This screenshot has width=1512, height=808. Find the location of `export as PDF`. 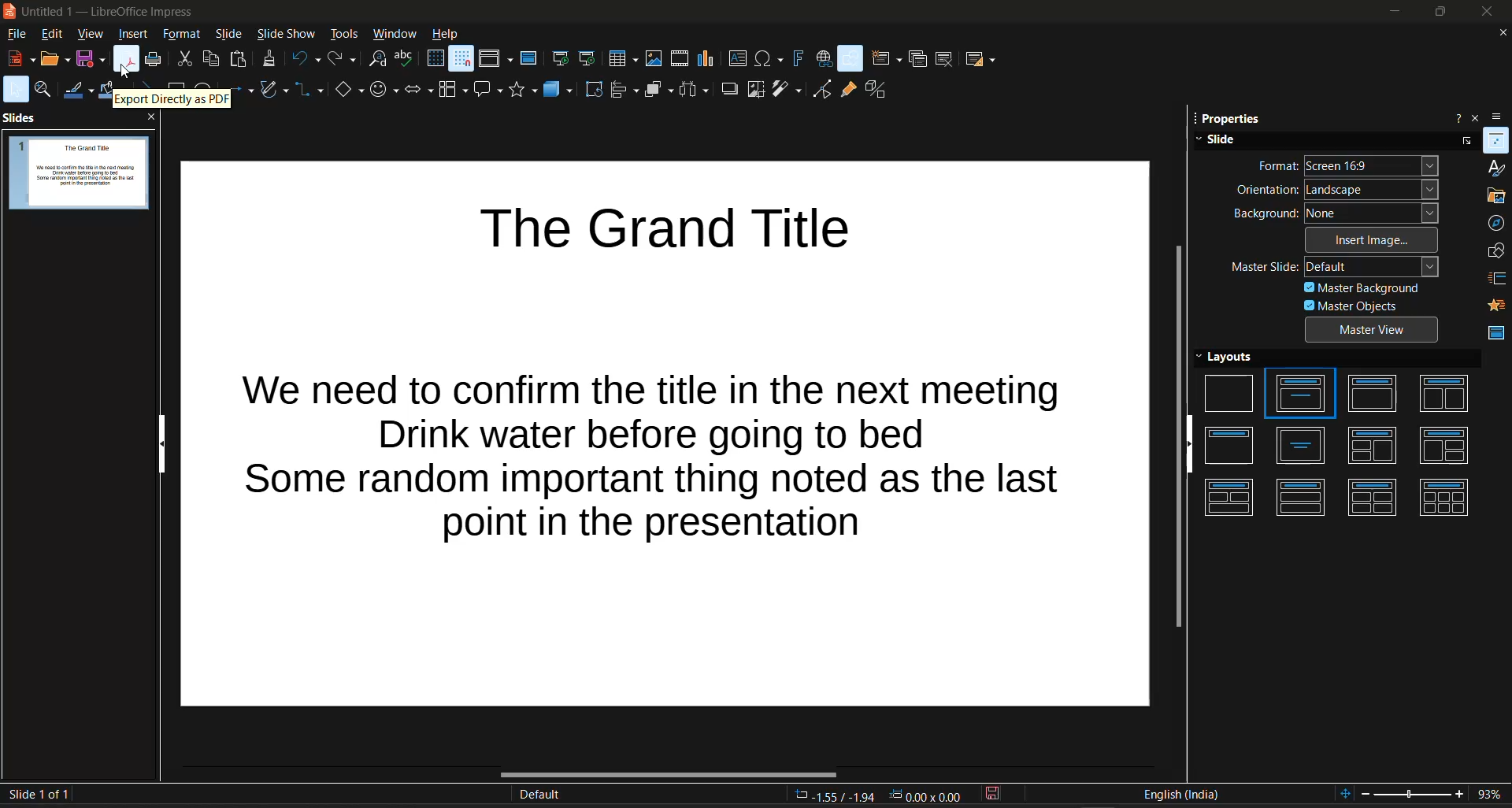

export as PDF is located at coordinates (127, 58).